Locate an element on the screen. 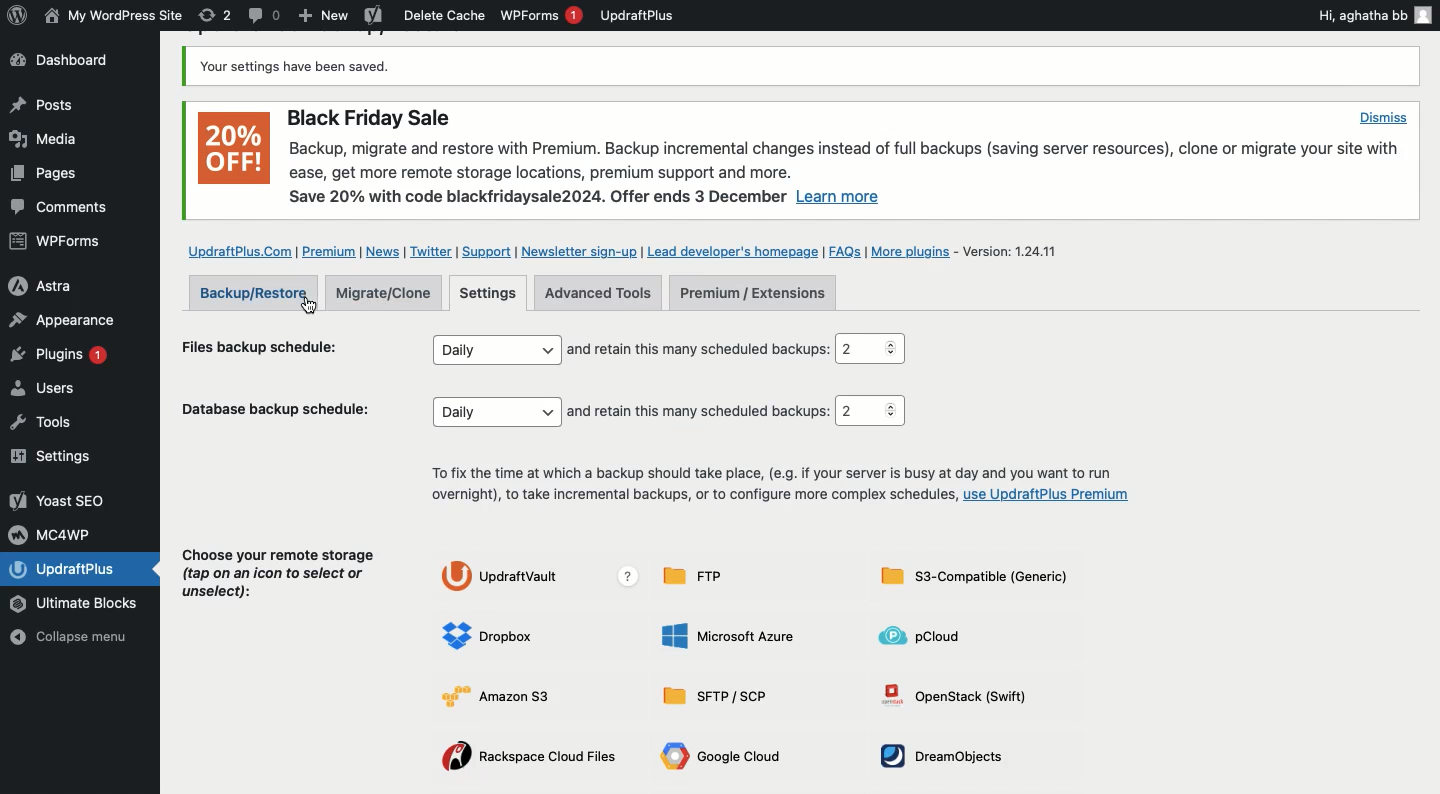  Rackspace Cloud Files is located at coordinates (525, 760).